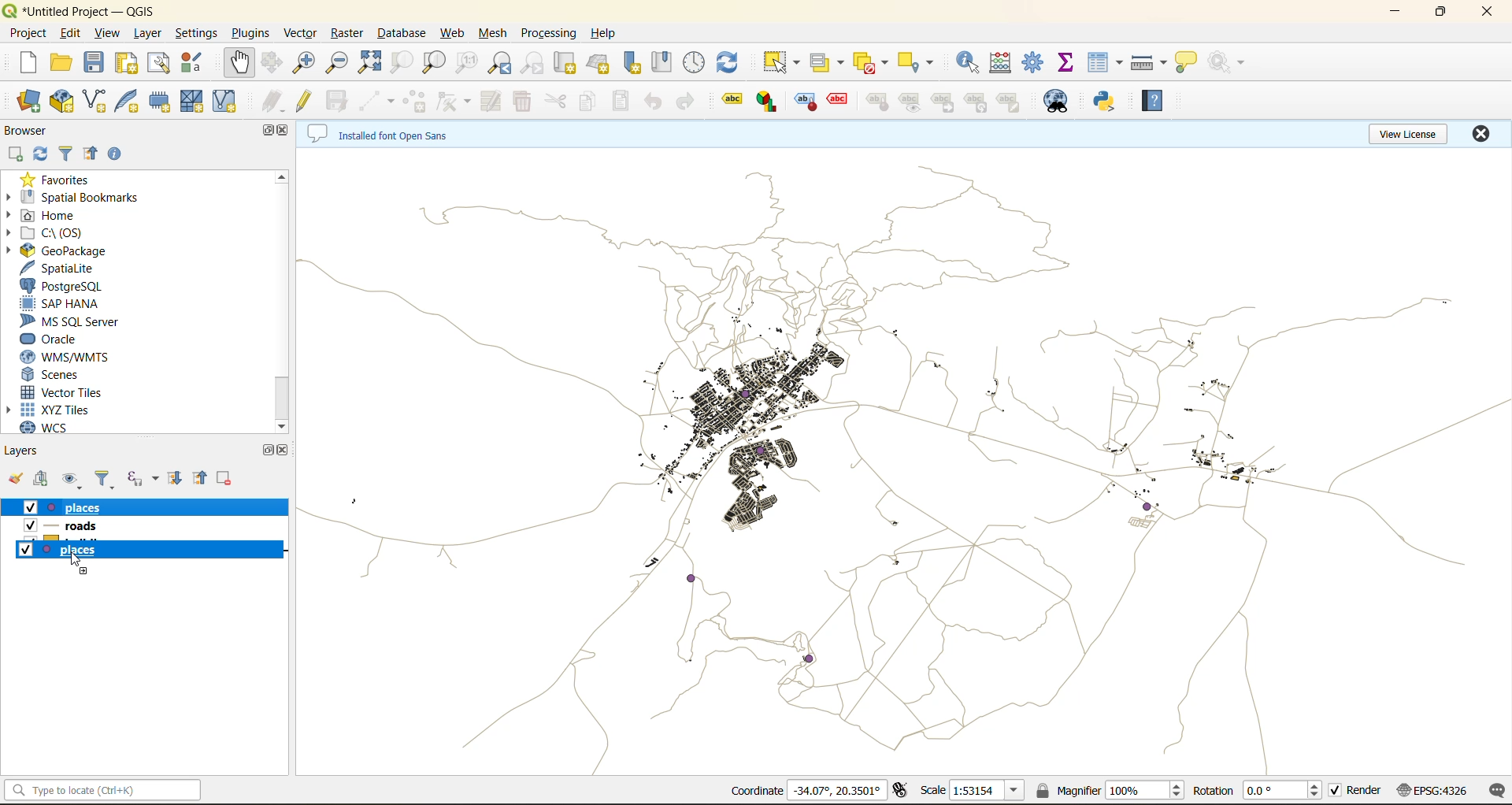 The image size is (1512, 805). I want to click on new spatialite, so click(128, 102).